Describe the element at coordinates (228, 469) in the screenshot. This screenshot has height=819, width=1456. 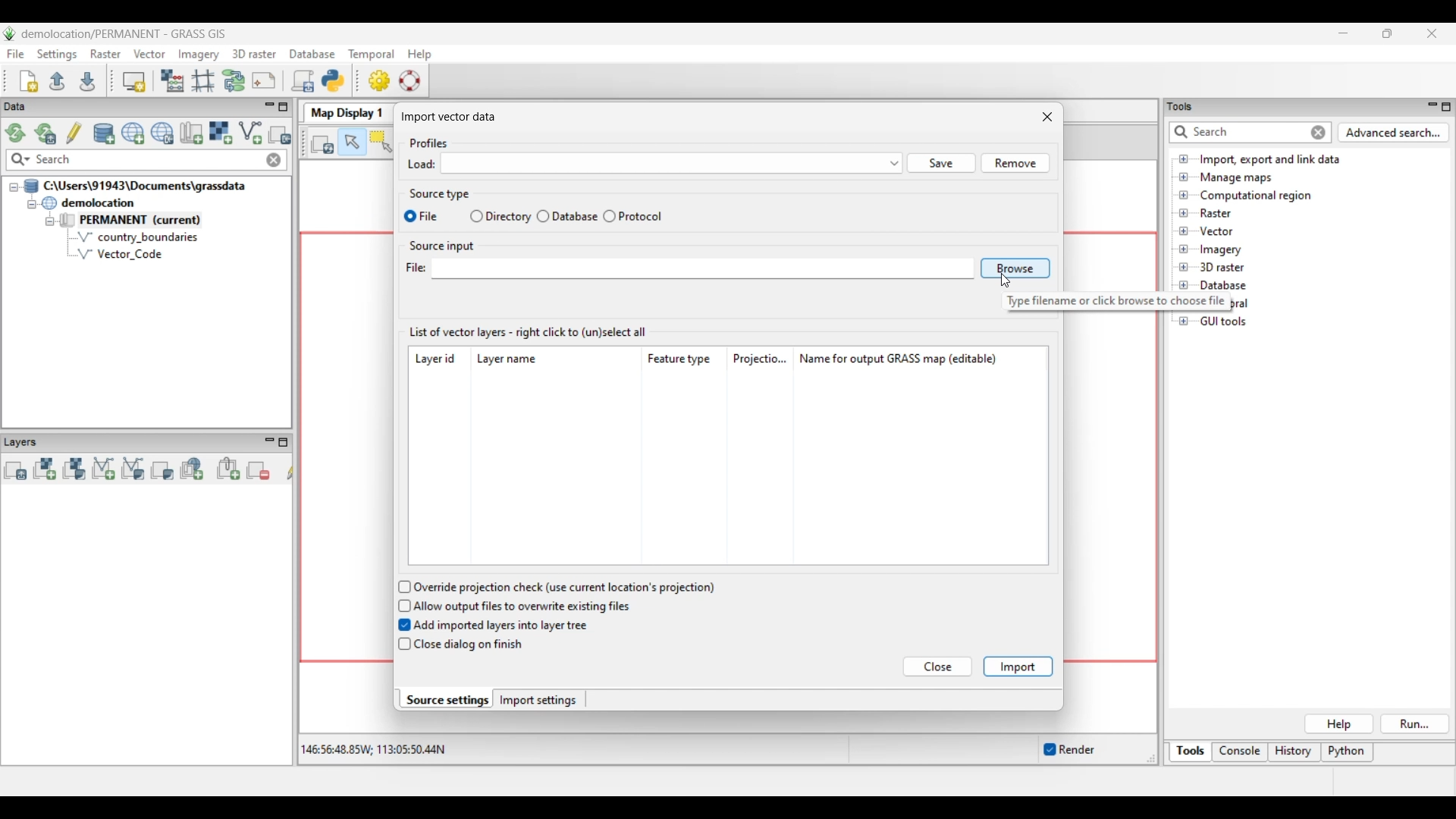
I see `Add group` at that location.